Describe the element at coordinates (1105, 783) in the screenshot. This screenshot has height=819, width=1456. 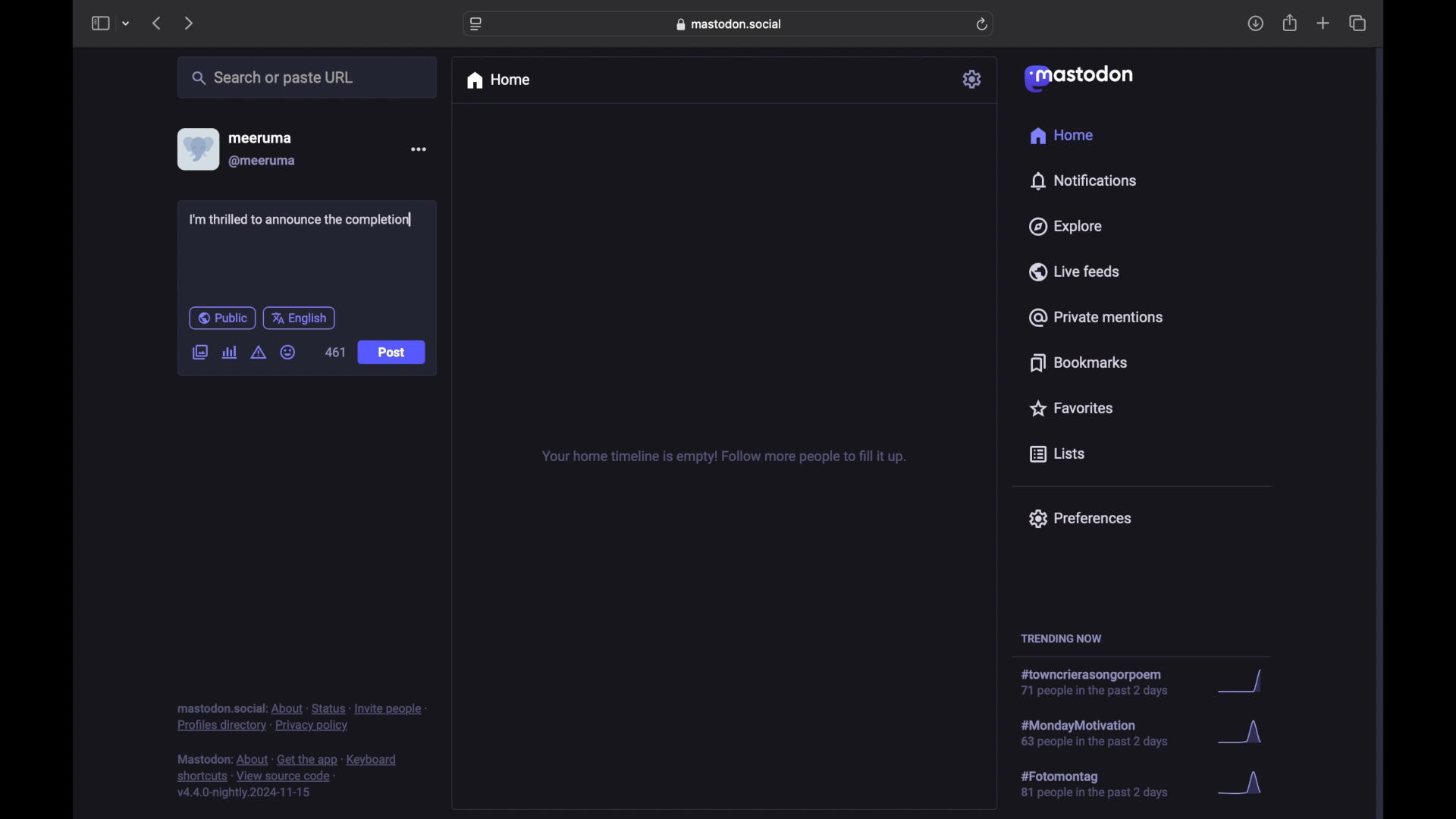
I see `hashtag trend` at that location.